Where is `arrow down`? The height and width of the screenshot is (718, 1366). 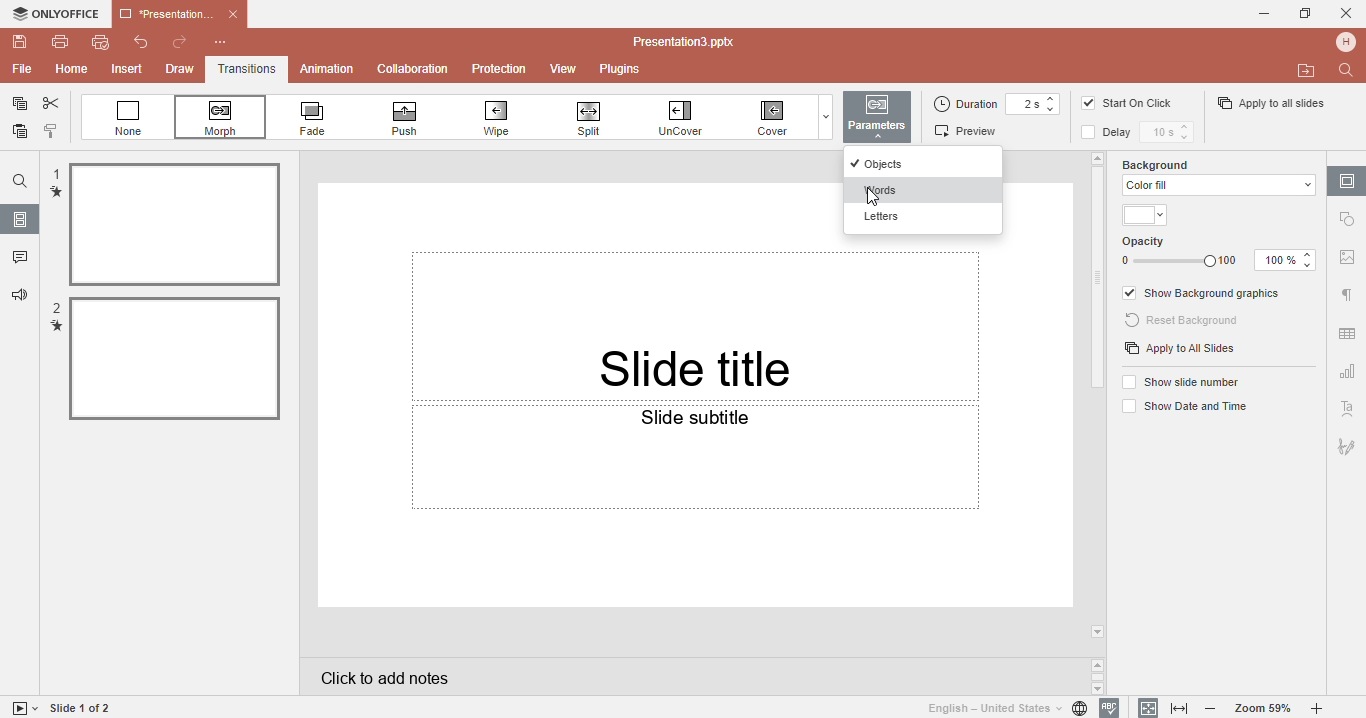 arrow down is located at coordinates (1099, 632).